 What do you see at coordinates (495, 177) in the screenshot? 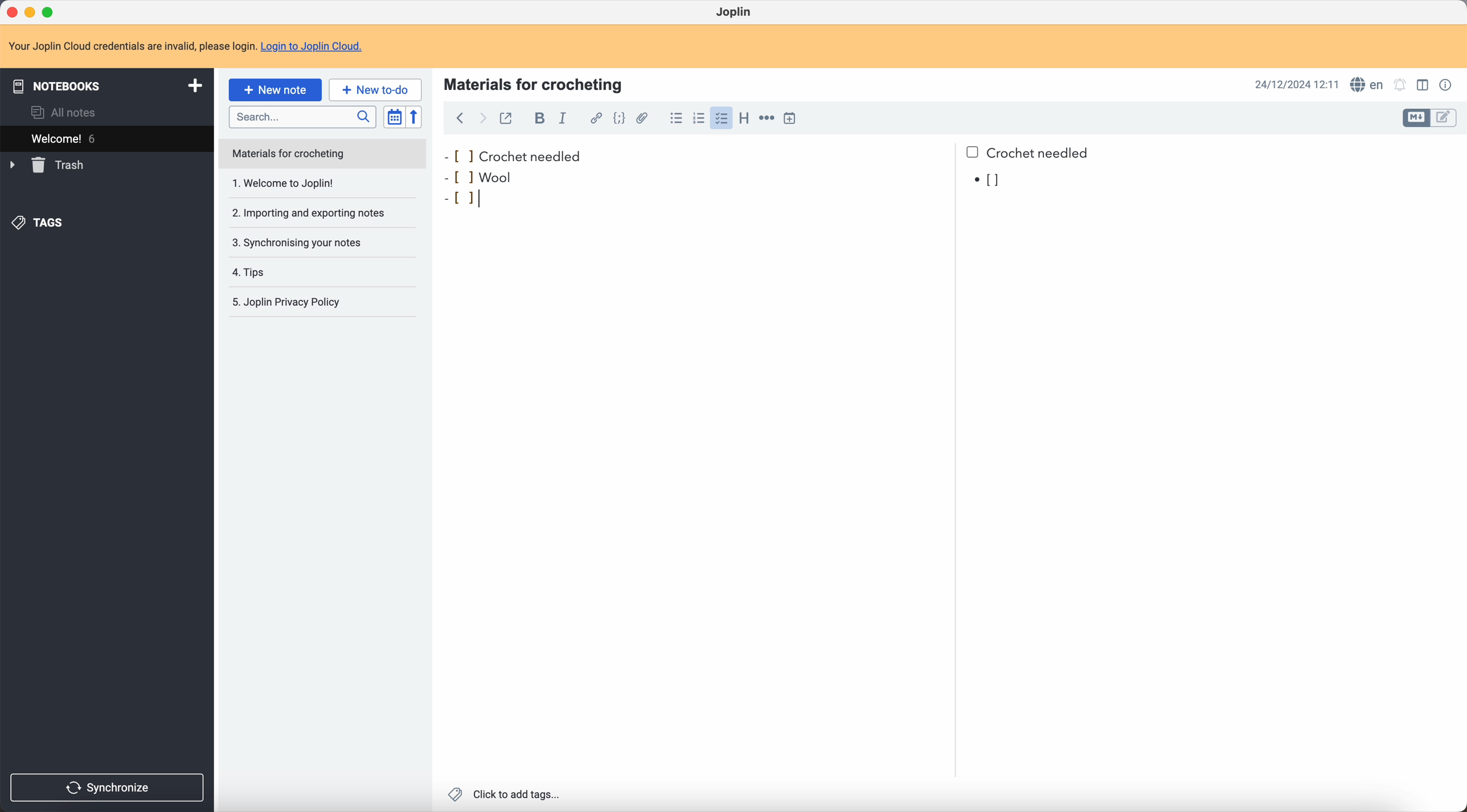
I see `wool` at bounding box center [495, 177].